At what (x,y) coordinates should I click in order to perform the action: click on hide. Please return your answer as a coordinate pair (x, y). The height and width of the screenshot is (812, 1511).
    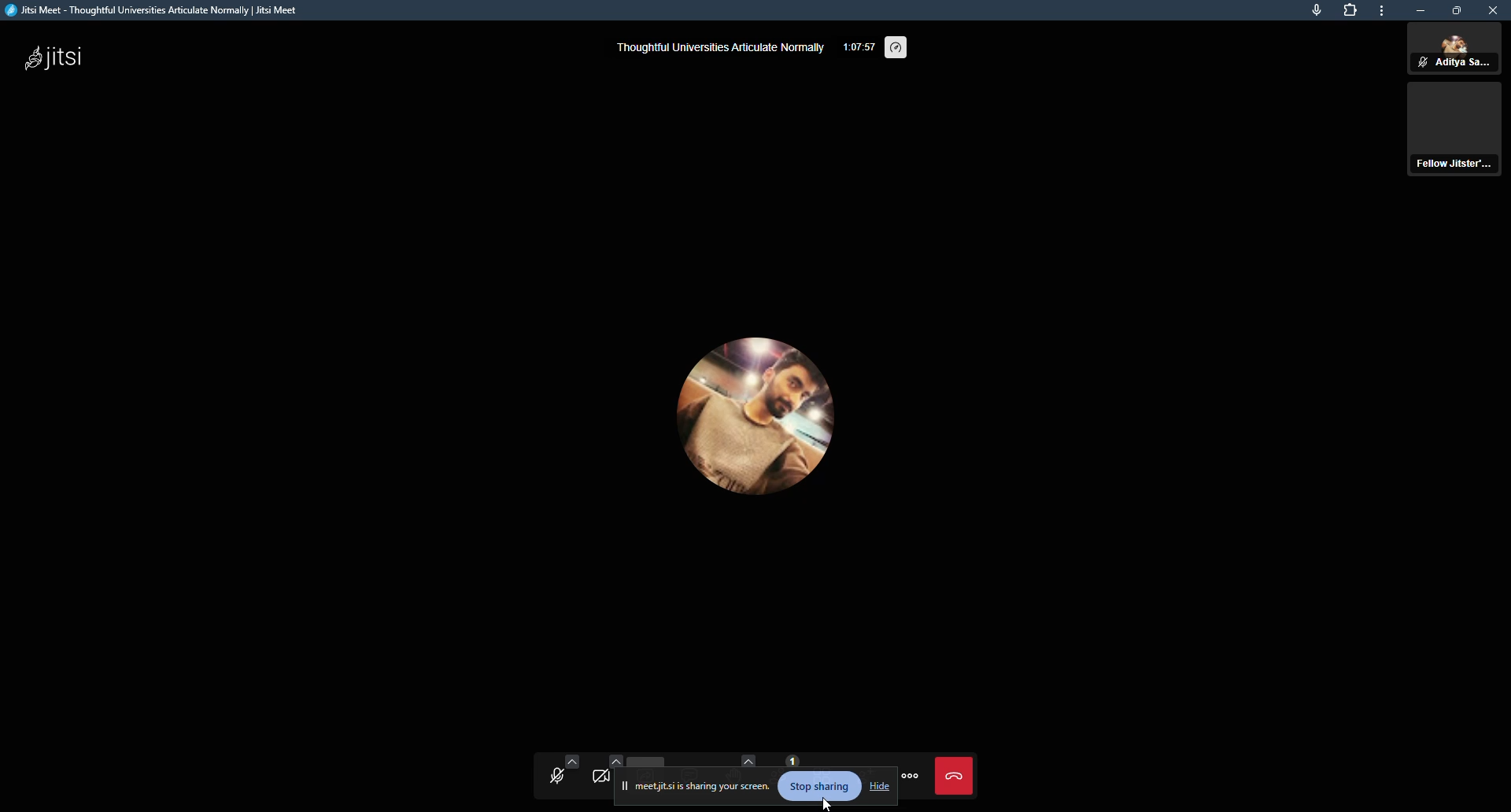
    Looking at the image, I should click on (880, 784).